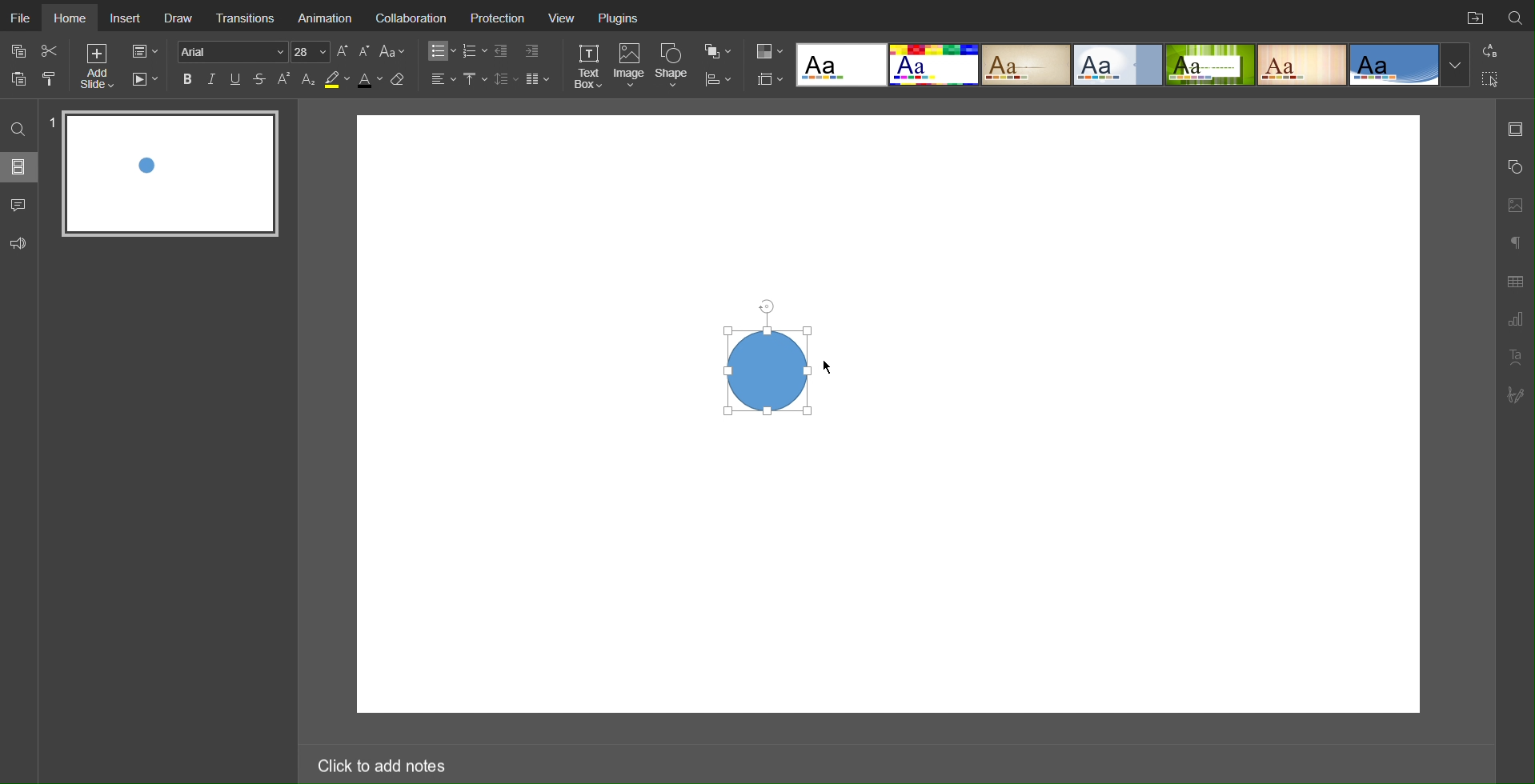 This screenshot has width=1535, height=784. I want to click on Templates, so click(1134, 65).